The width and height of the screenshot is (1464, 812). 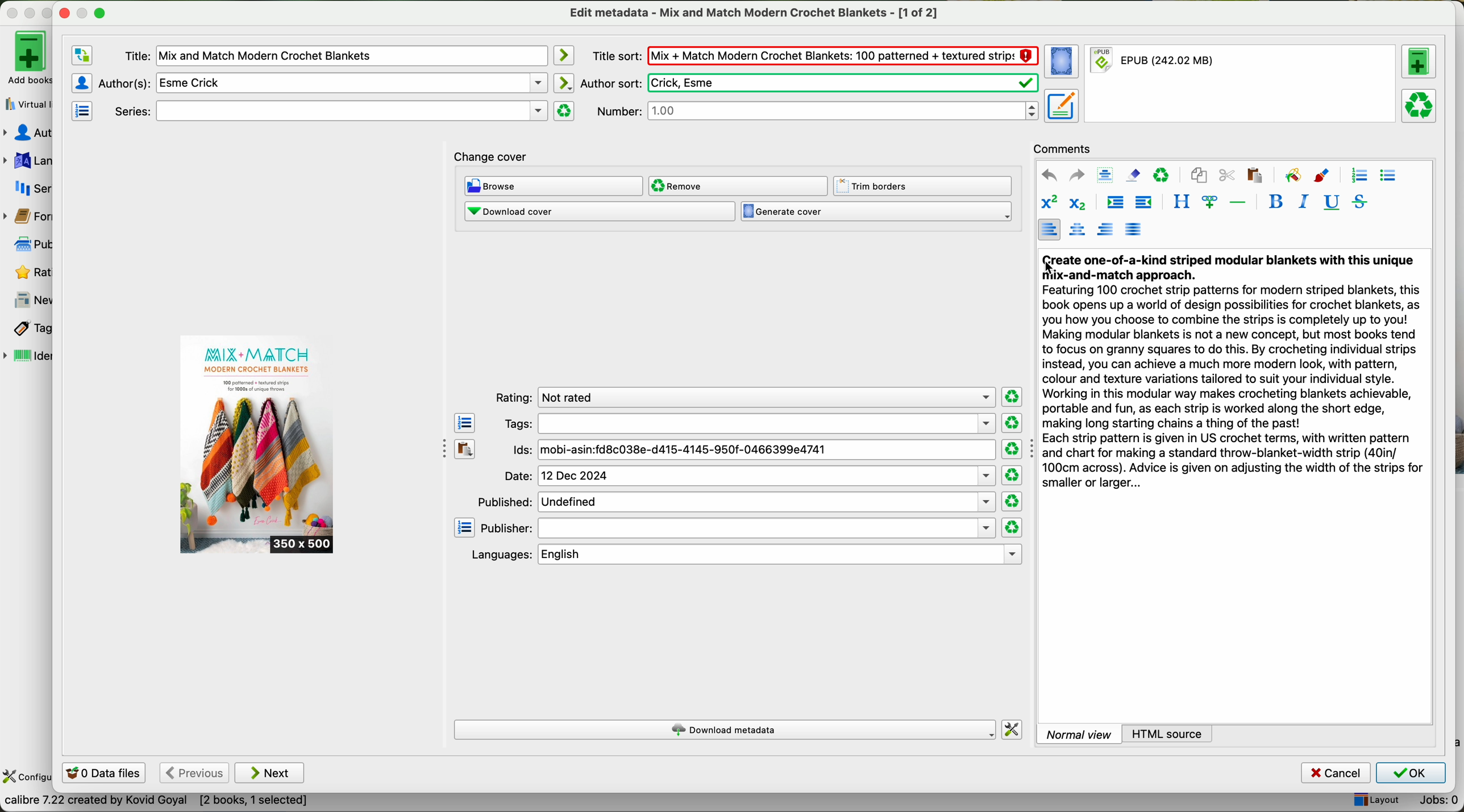 What do you see at coordinates (1049, 176) in the screenshot?
I see `undo` at bounding box center [1049, 176].